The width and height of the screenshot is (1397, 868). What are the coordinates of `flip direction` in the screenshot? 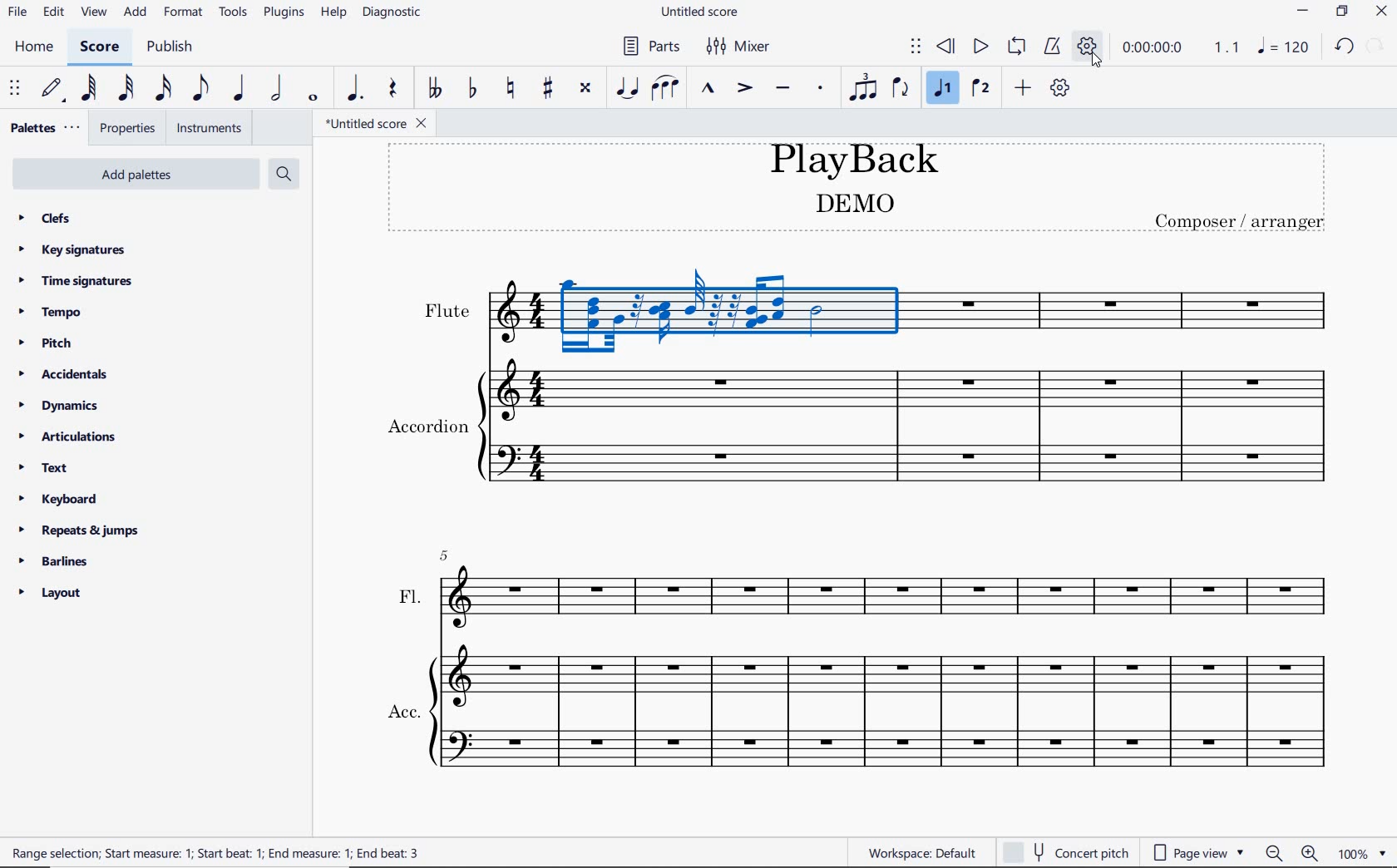 It's located at (900, 90).